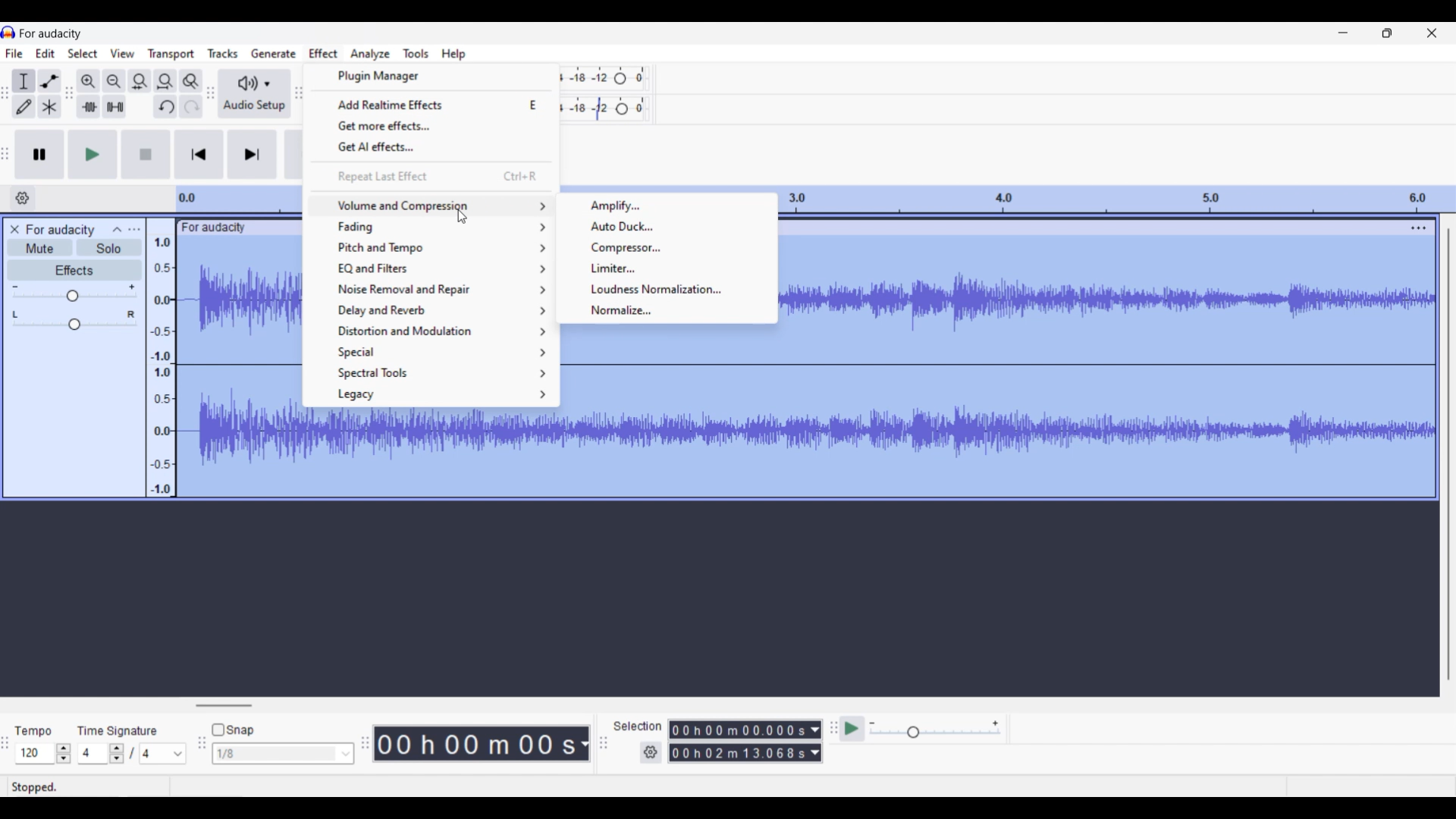  Describe the element at coordinates (24, 81) in the screenshot. I see `Selection tool` at that location.